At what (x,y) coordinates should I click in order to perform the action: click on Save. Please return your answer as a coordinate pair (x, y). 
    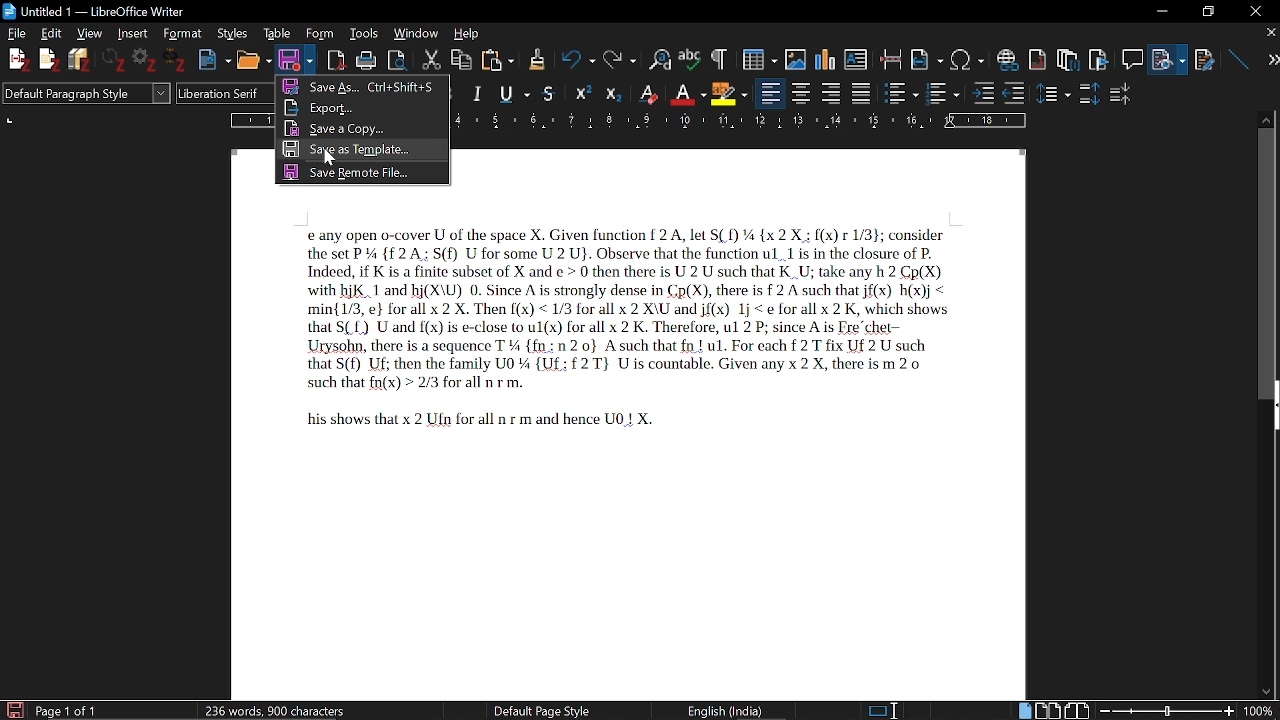
    Looking at the image, I should click on (292, 60).